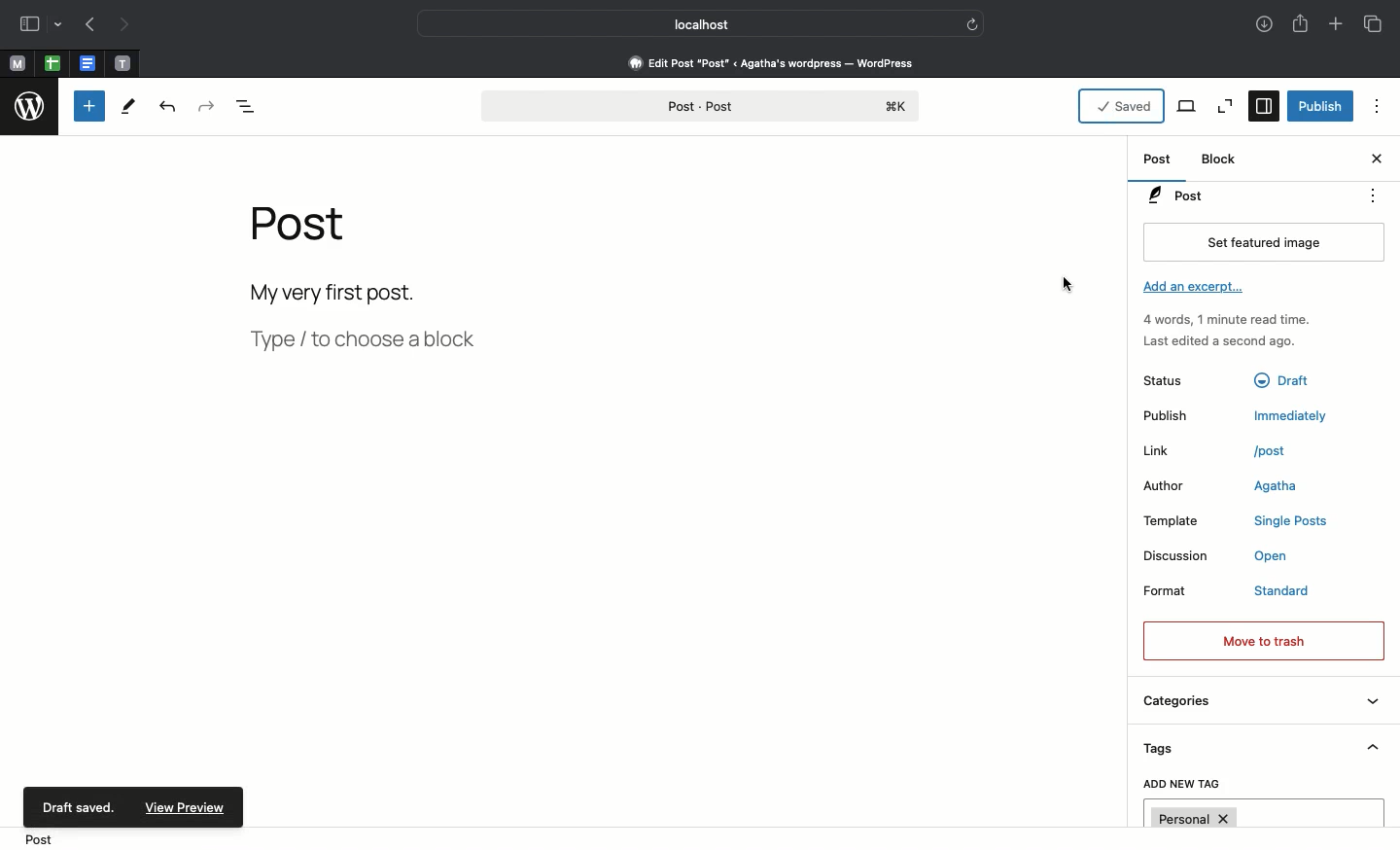  What do you see at coordinates (1338, 27) in the screenshot?
I see `Add new tab` at bounding box center [1338, 27].